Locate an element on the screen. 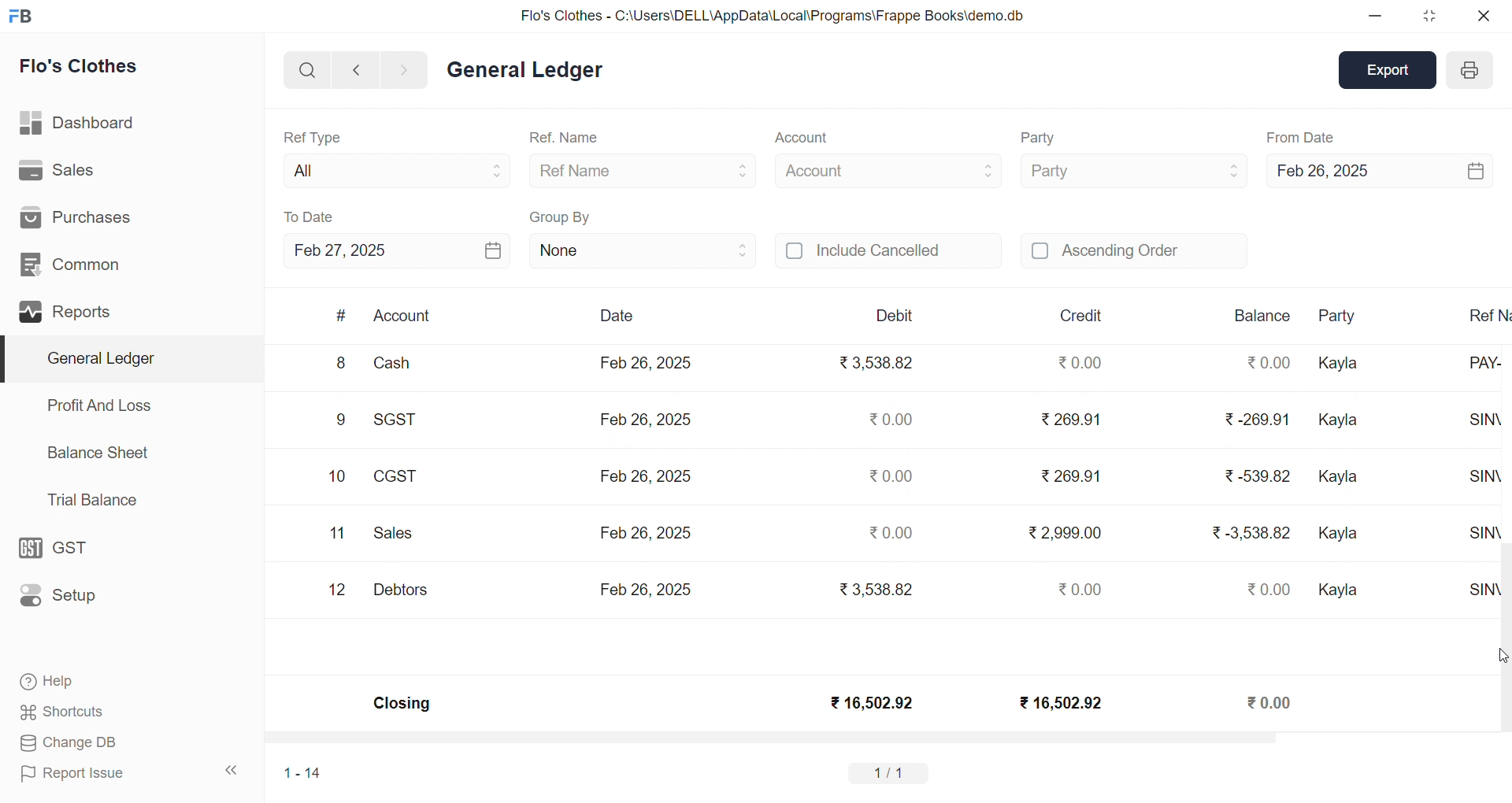 The width and height of the screenshot is (1512, 803). From Date is located at coordinates (1301, 137).